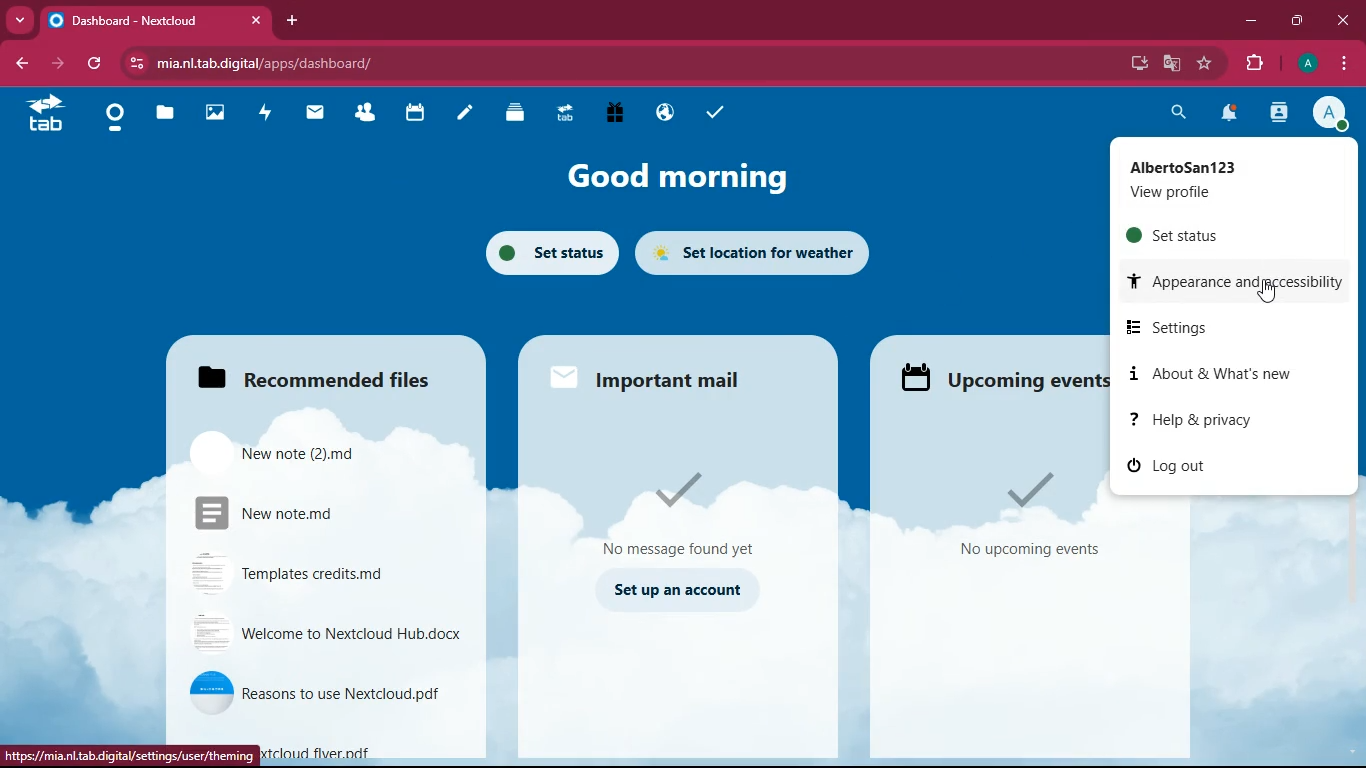  I want to click on desktop, so click(1135, 65).